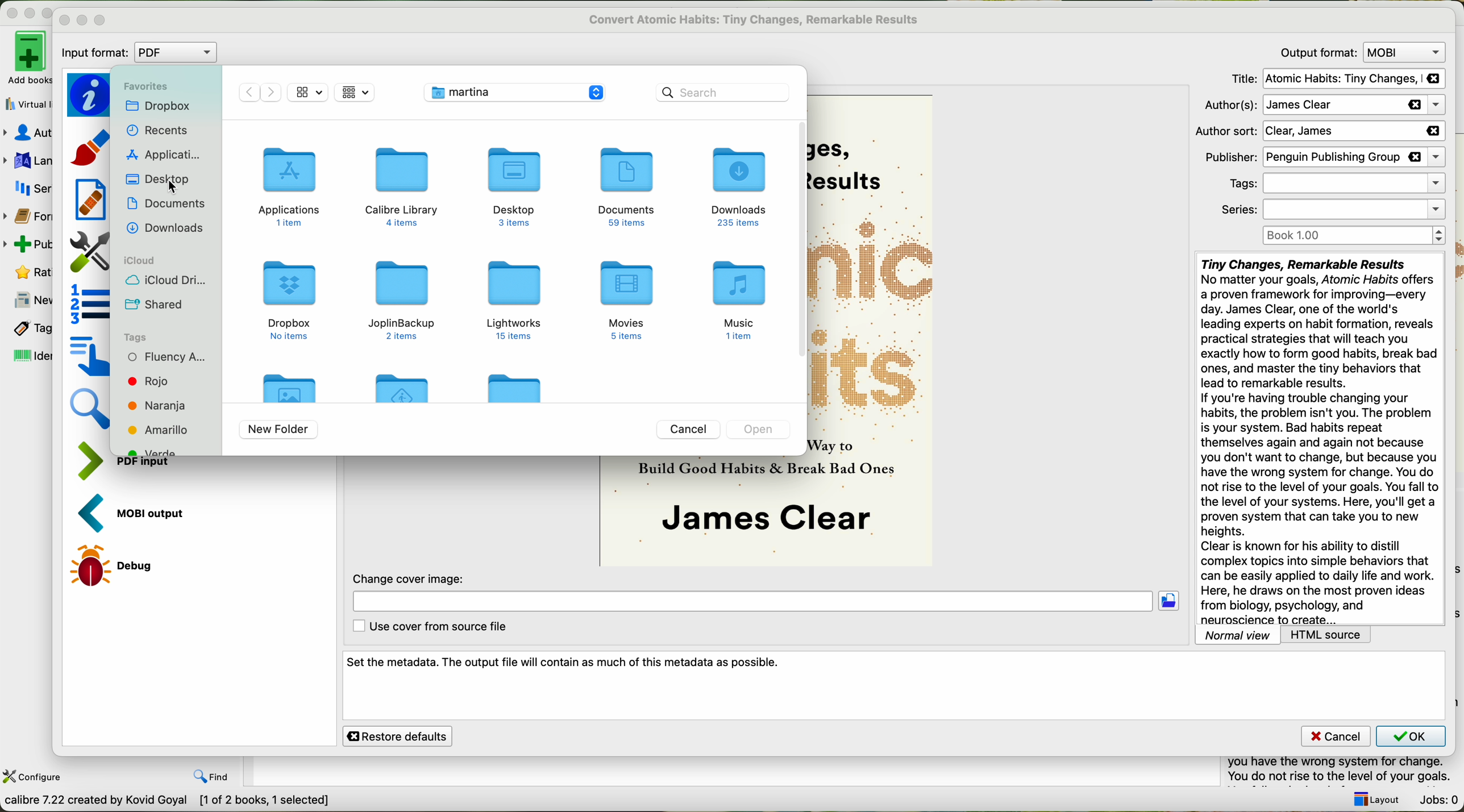  What do you see at coordinates (739, 187) in the screenshot?
I see `downloads` at bounding box center [739, 187].